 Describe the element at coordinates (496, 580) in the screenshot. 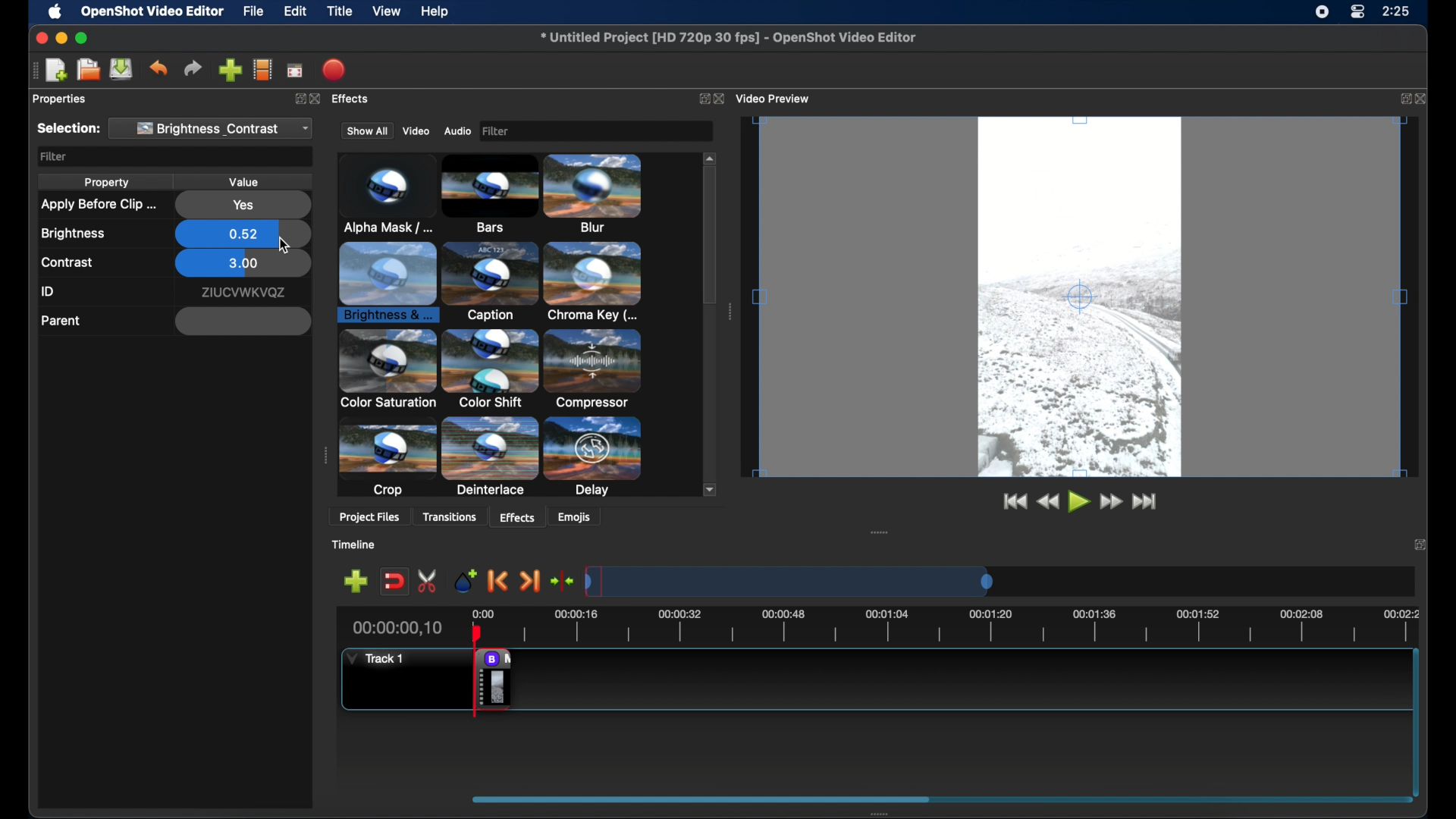

I see `previous marker` at that location.